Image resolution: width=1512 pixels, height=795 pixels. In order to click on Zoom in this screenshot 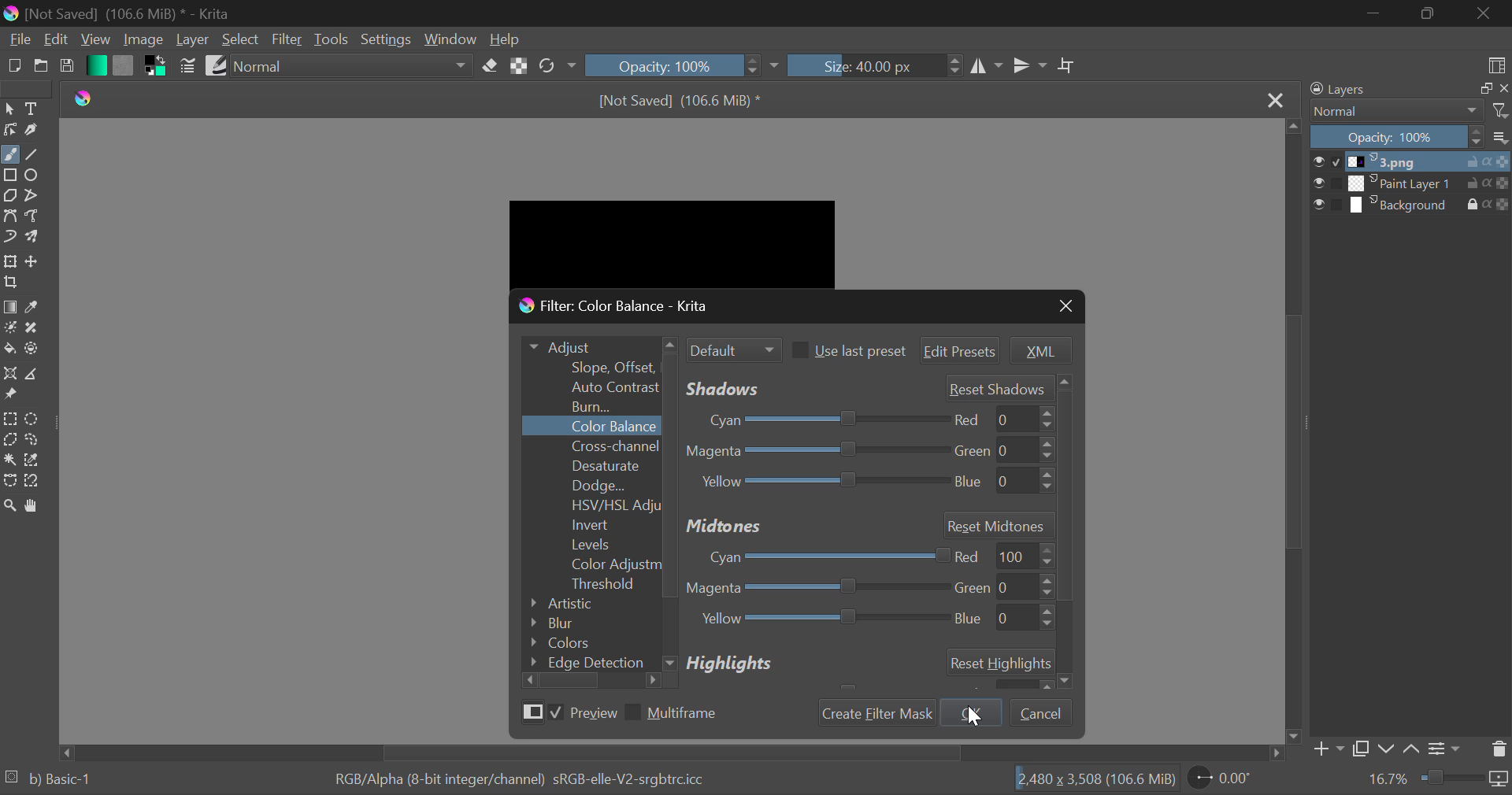, I will do `click(10, 505)`.